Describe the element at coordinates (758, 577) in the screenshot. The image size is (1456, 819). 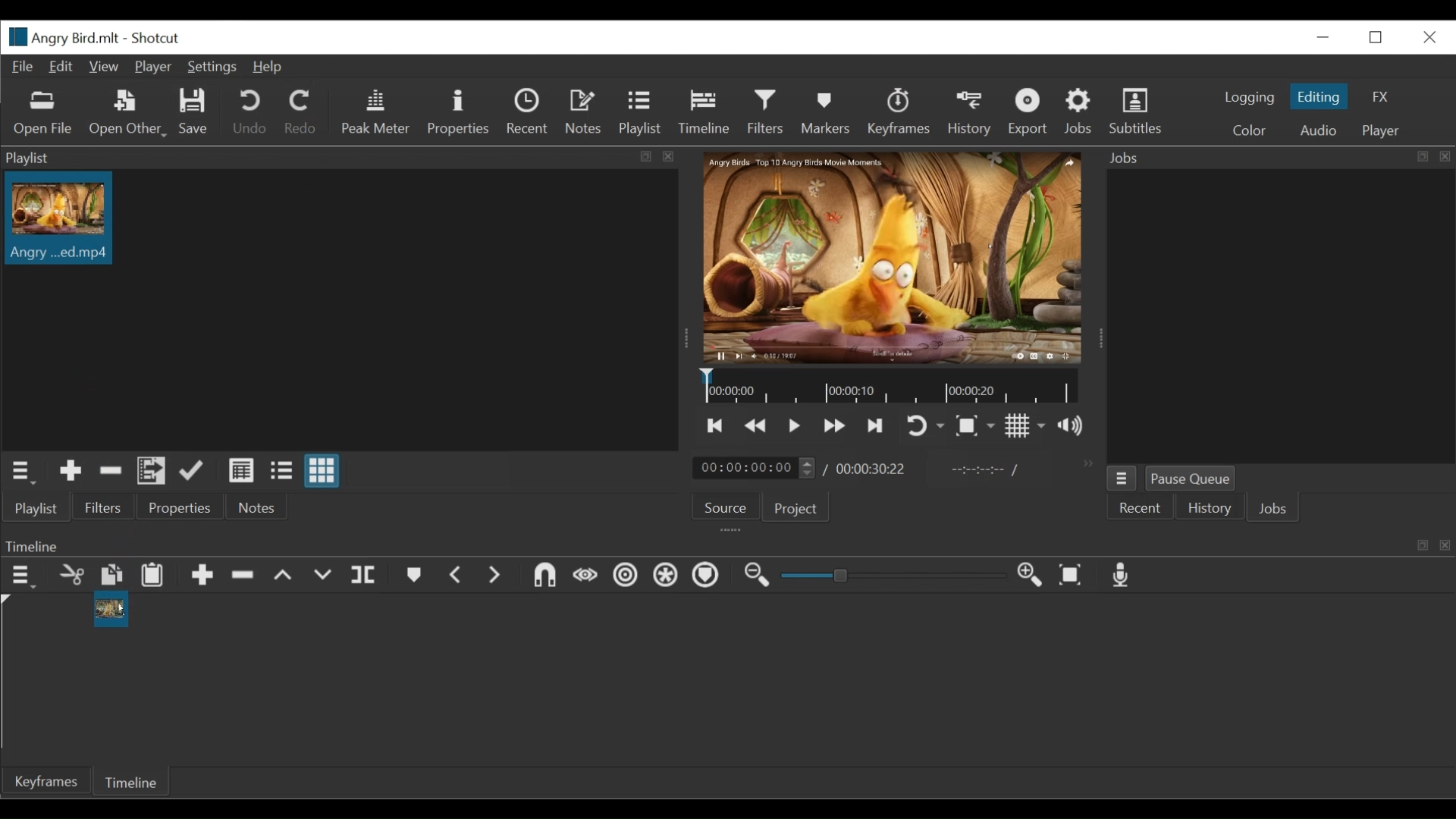
I see `Zoom timeline out` at that location.